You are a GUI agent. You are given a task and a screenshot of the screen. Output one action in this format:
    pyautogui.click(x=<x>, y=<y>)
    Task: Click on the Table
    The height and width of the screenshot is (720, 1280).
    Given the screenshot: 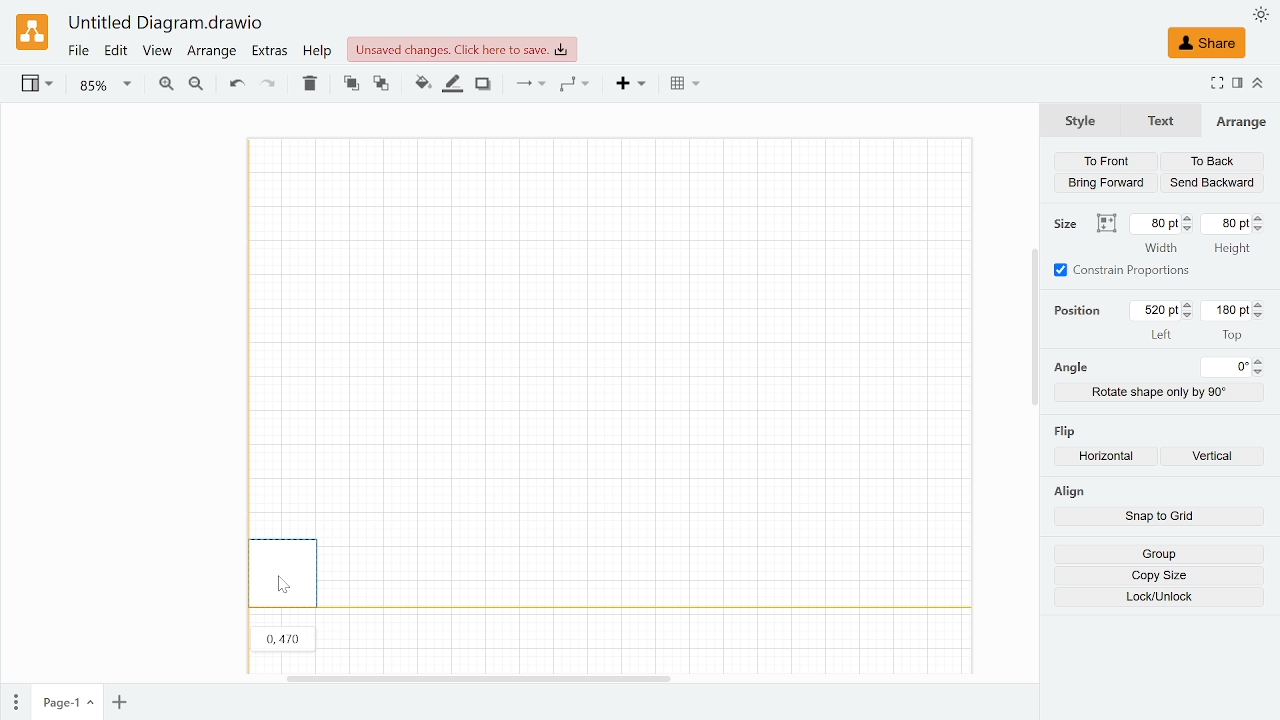 What is the action you would take?
    pyautogui.click(x=685, y=85)
    